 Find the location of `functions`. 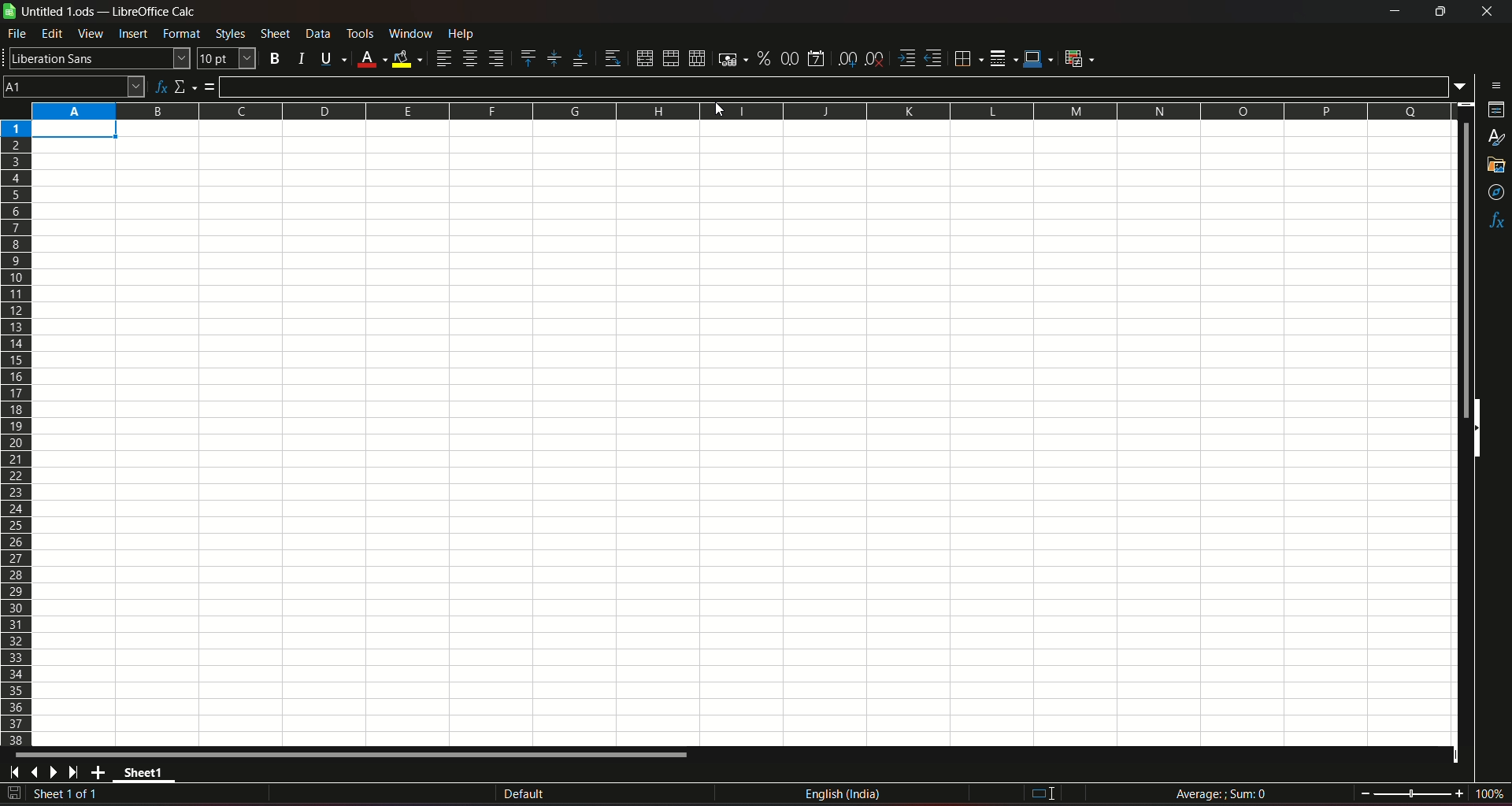

functions is located at coordinates (1495, 221).